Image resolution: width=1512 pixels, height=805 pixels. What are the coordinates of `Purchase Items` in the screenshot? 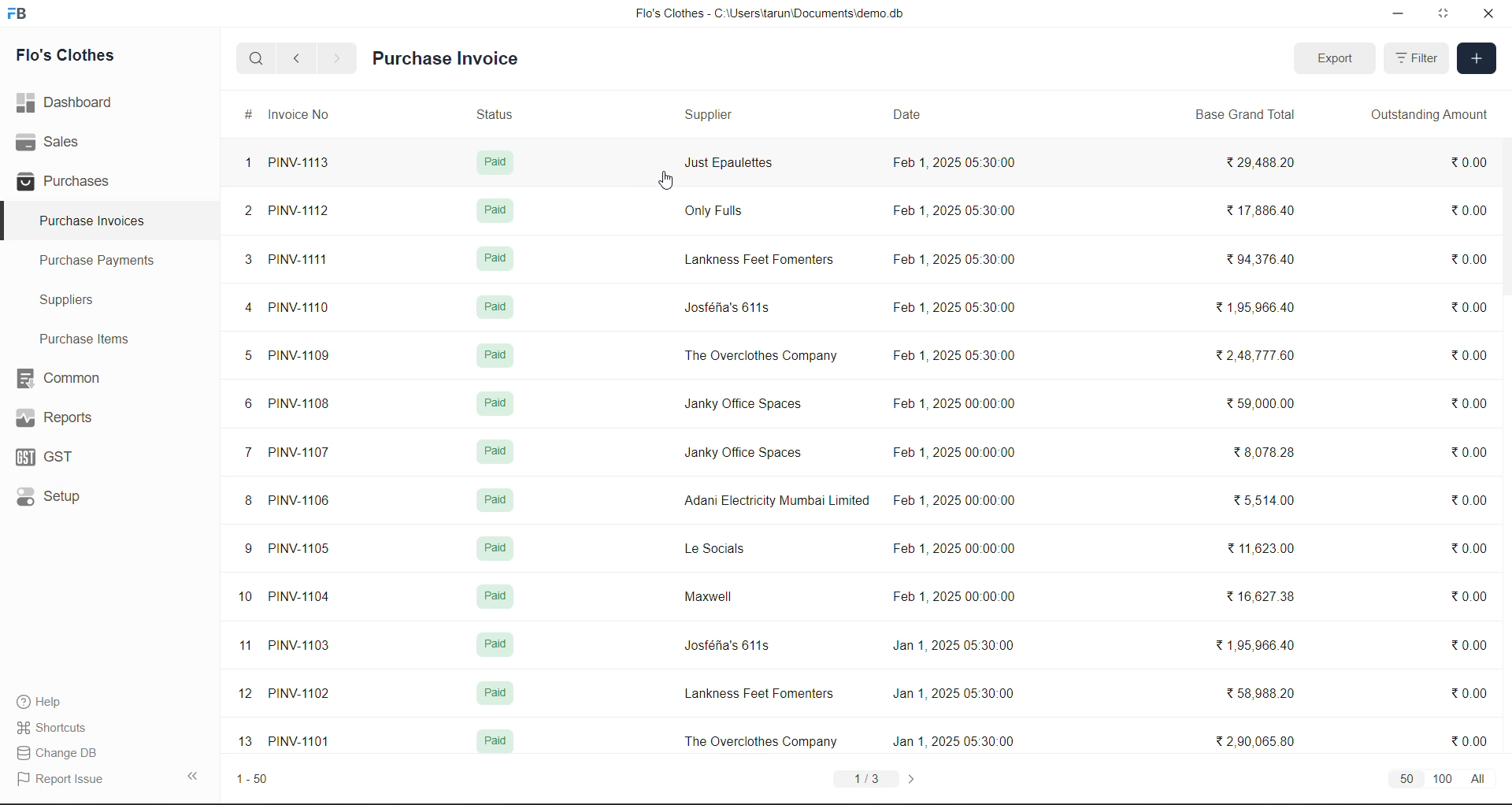 It's located at (89, 338).